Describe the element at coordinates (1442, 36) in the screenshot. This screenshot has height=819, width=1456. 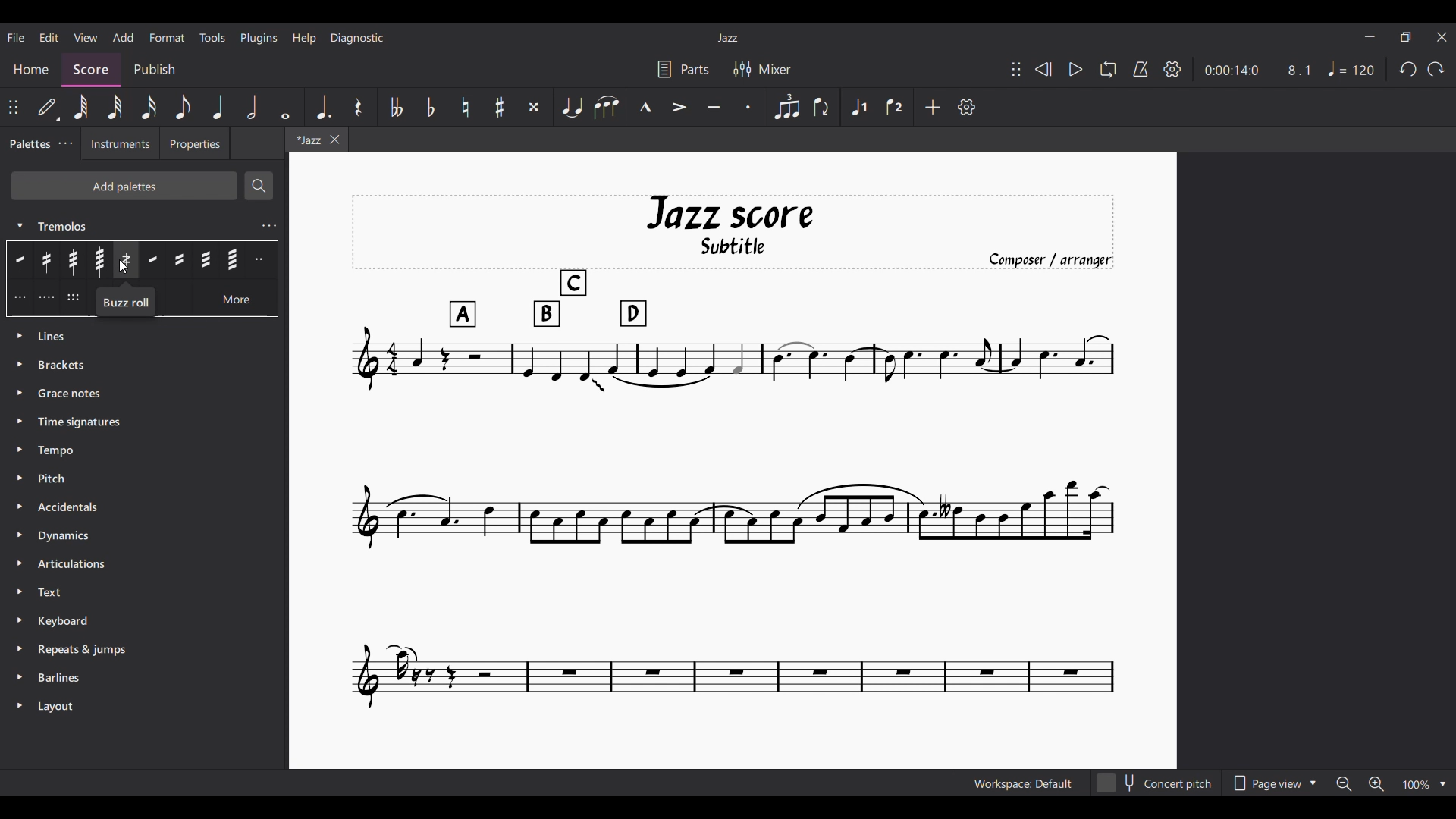
I see `Close interface` at that location.